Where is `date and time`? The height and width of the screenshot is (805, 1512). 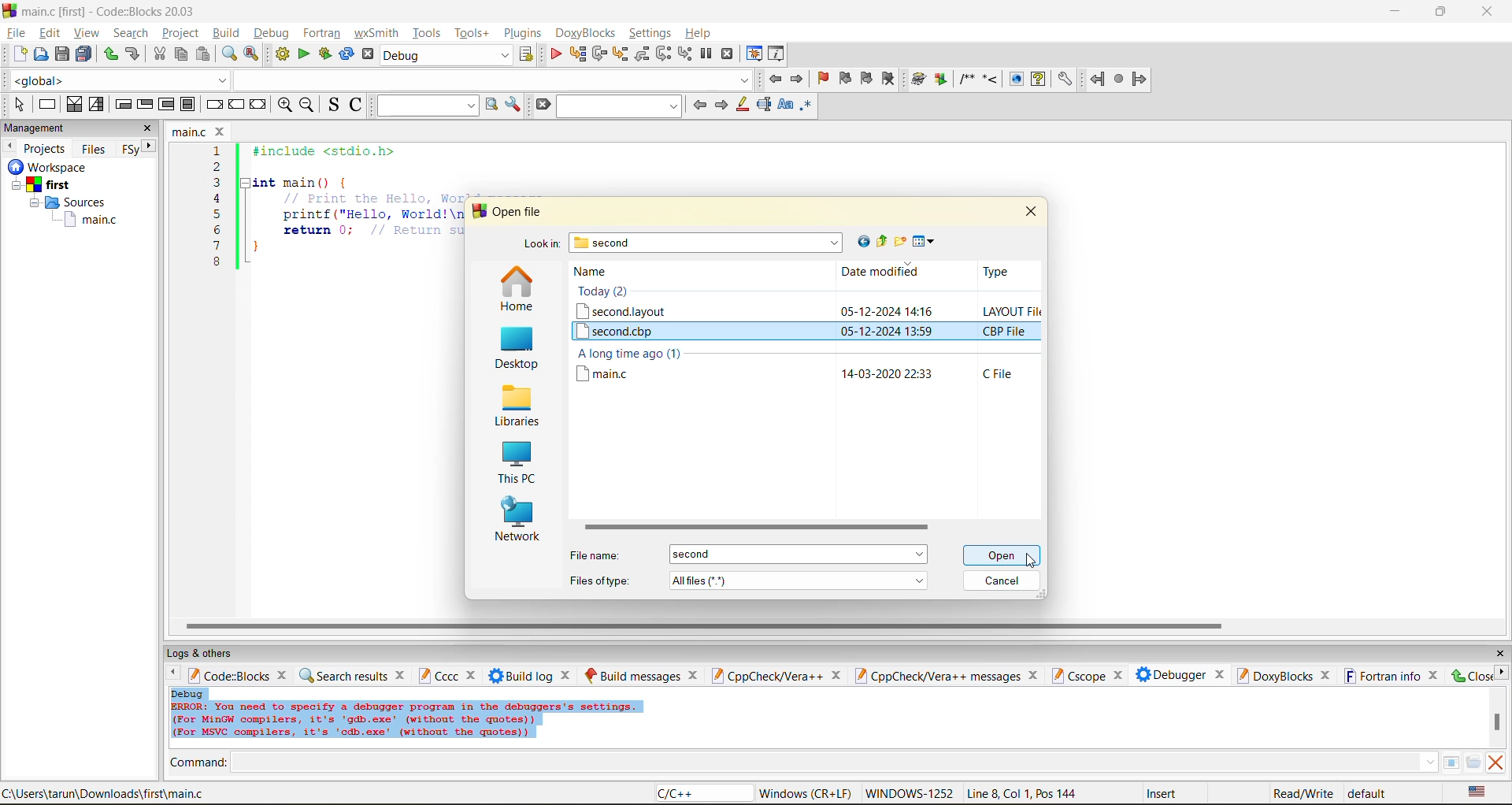
date and time is located at coordinates (888, 375).